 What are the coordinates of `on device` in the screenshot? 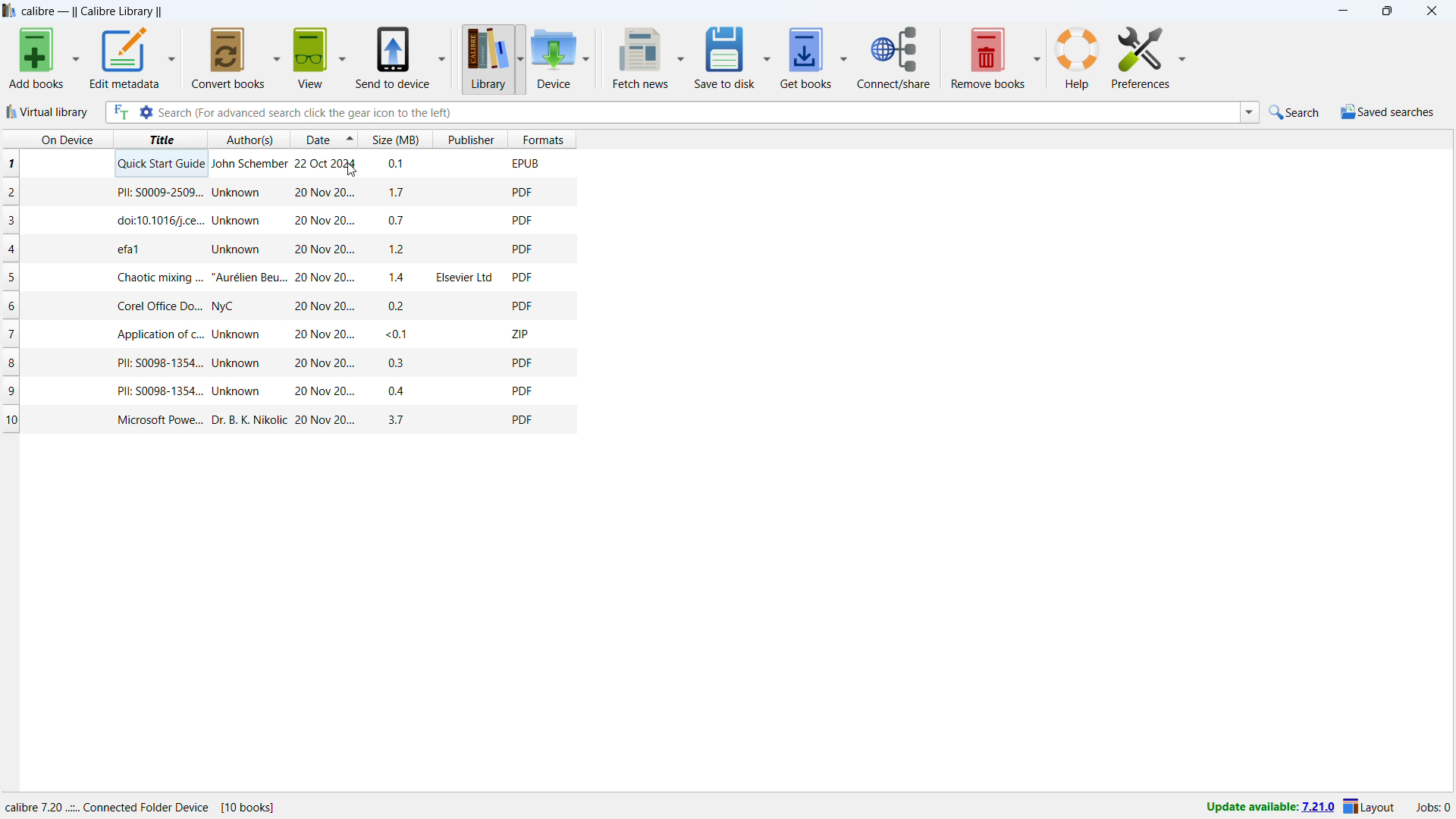 It's located at (55, 139).